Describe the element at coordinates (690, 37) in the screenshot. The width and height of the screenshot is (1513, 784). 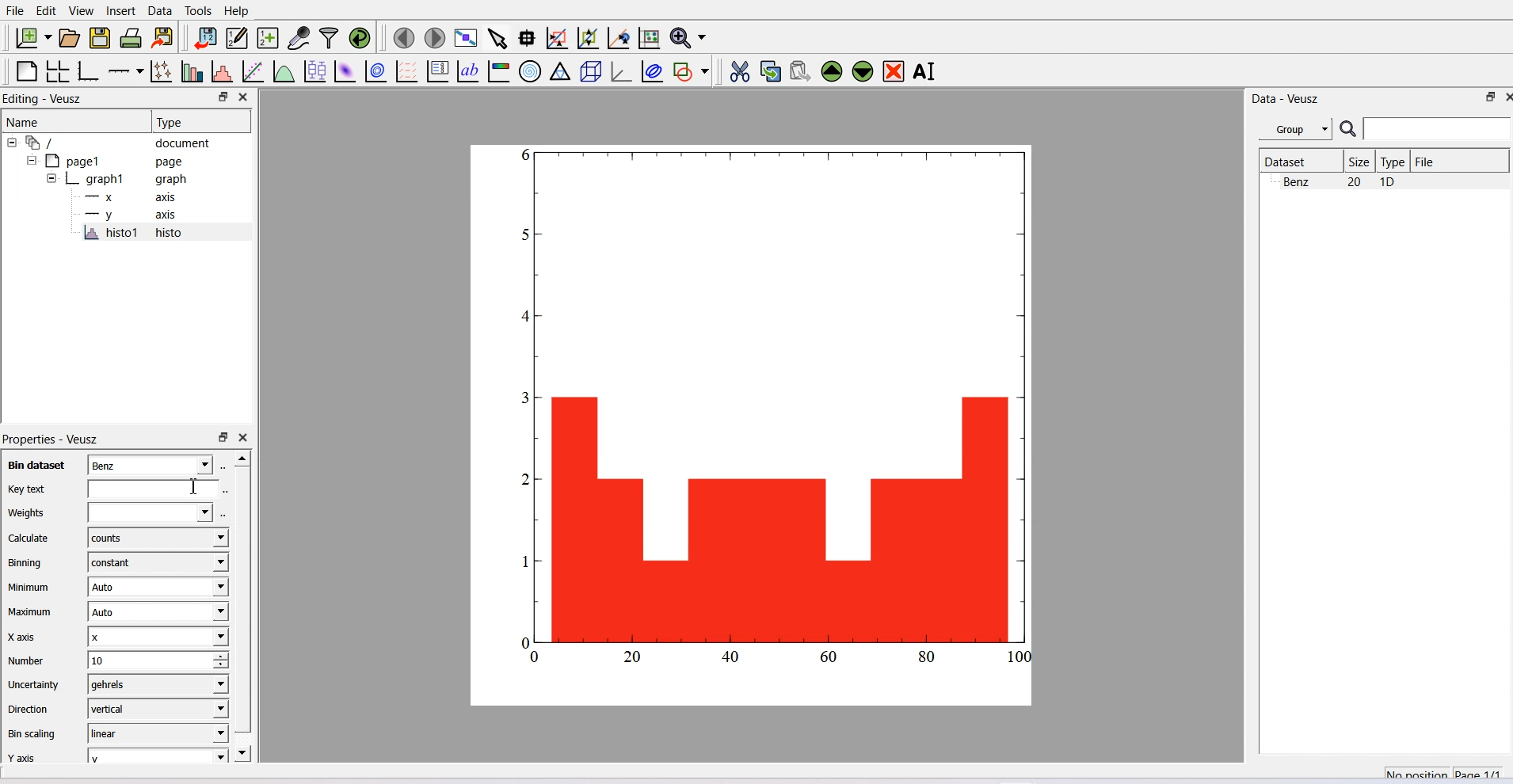
I see `Zoom Function Menu` at that location.